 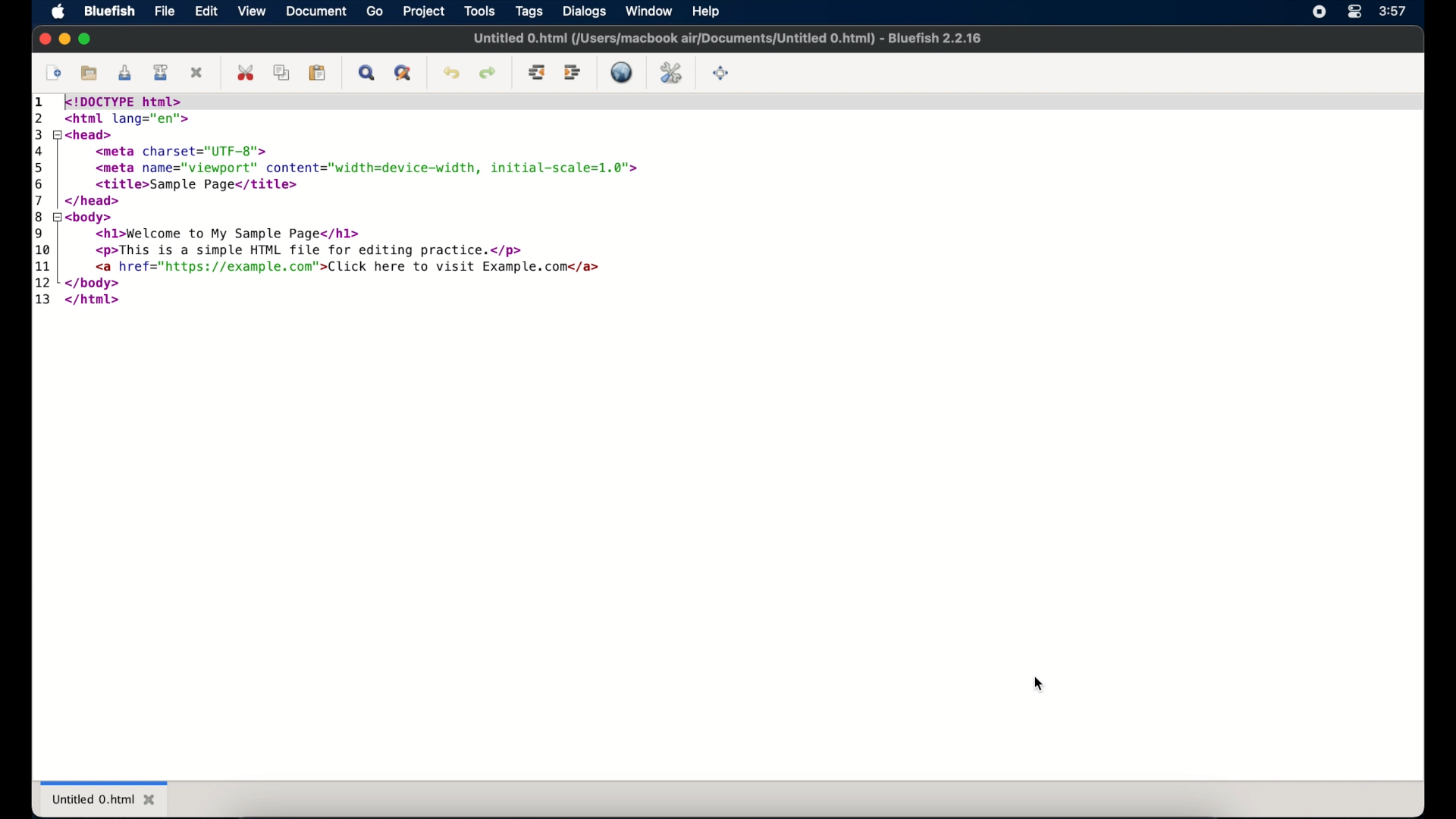 What do you see at coordinates (529, 11) in the screenshot?
I see `tags` at bounding box center [529, 11].